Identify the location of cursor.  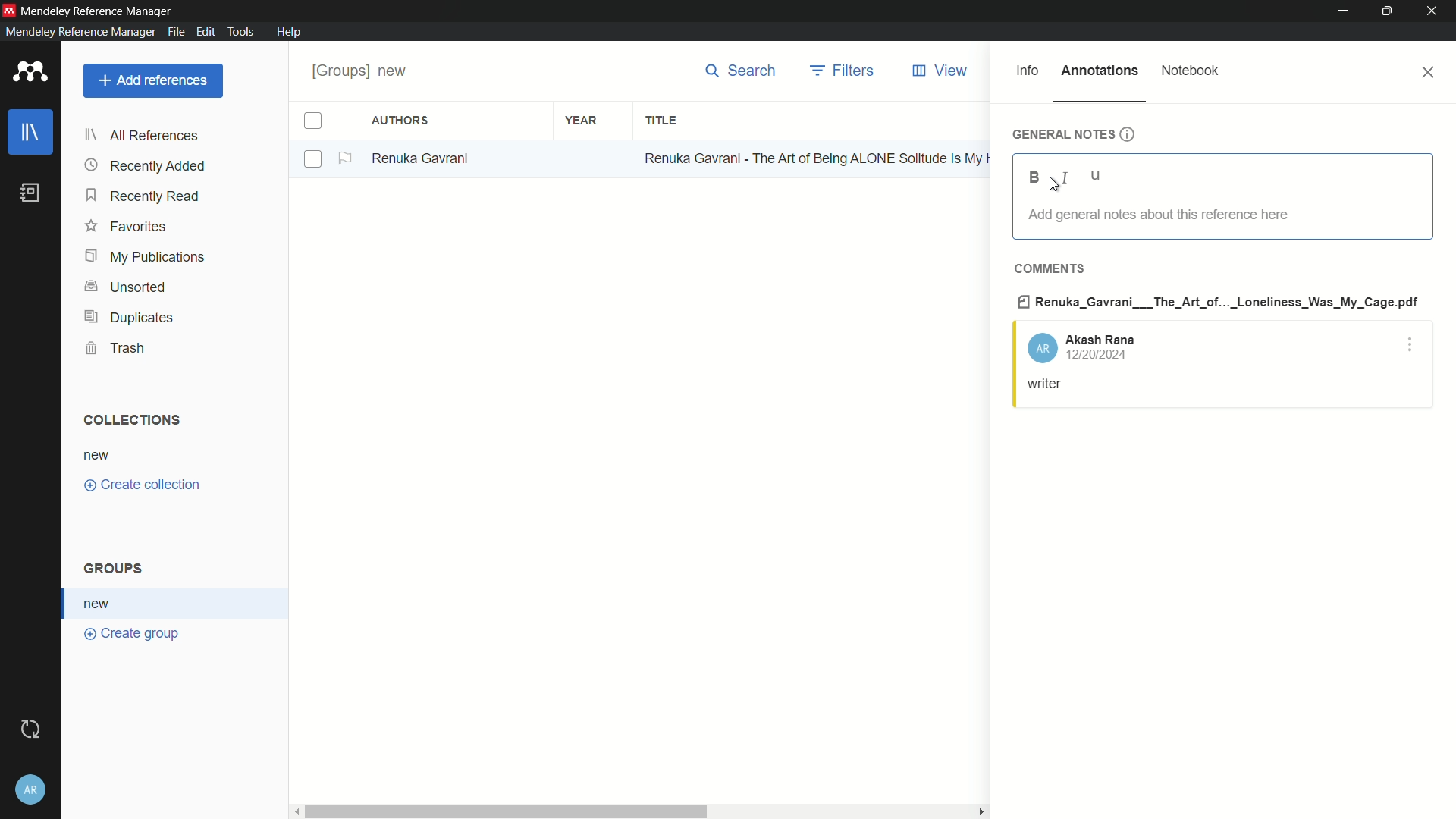
(1055, 188).